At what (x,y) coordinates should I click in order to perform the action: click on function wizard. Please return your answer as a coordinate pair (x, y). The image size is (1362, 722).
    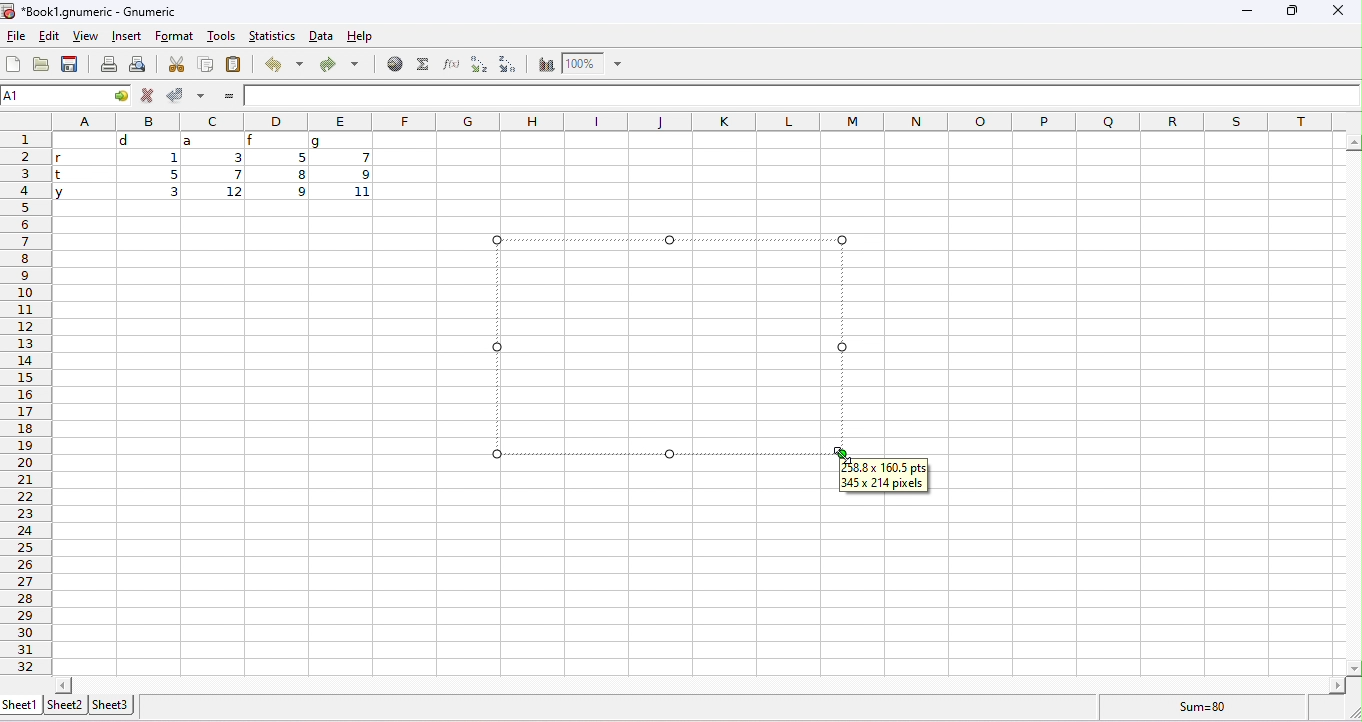
    Looking at the image, I should click on (449, 63).